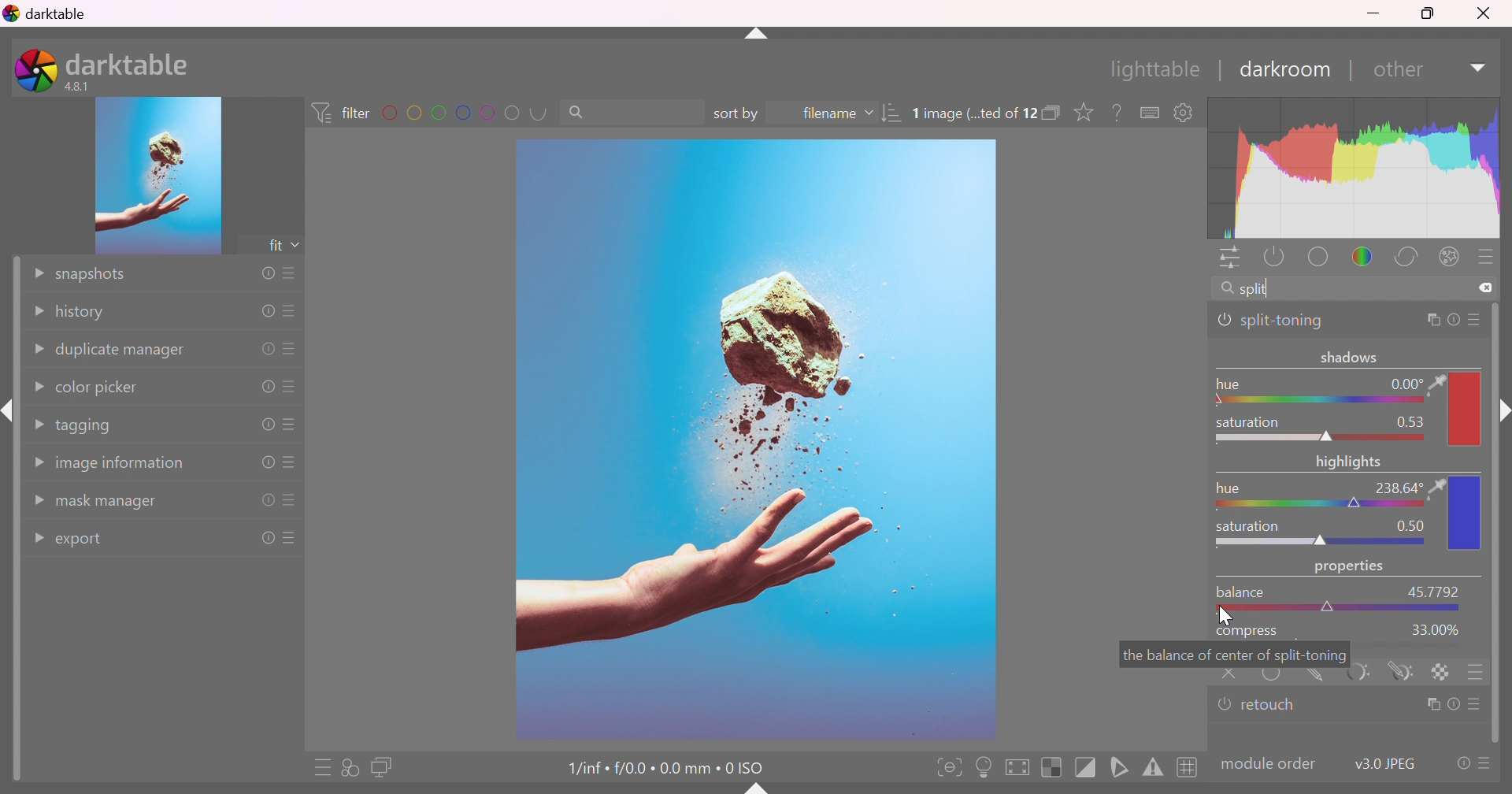 This screenshot has height=794, width=1512. Describe the element at coordinates (1478, 69) in the screenshot. I see `Drop Down` at that location.